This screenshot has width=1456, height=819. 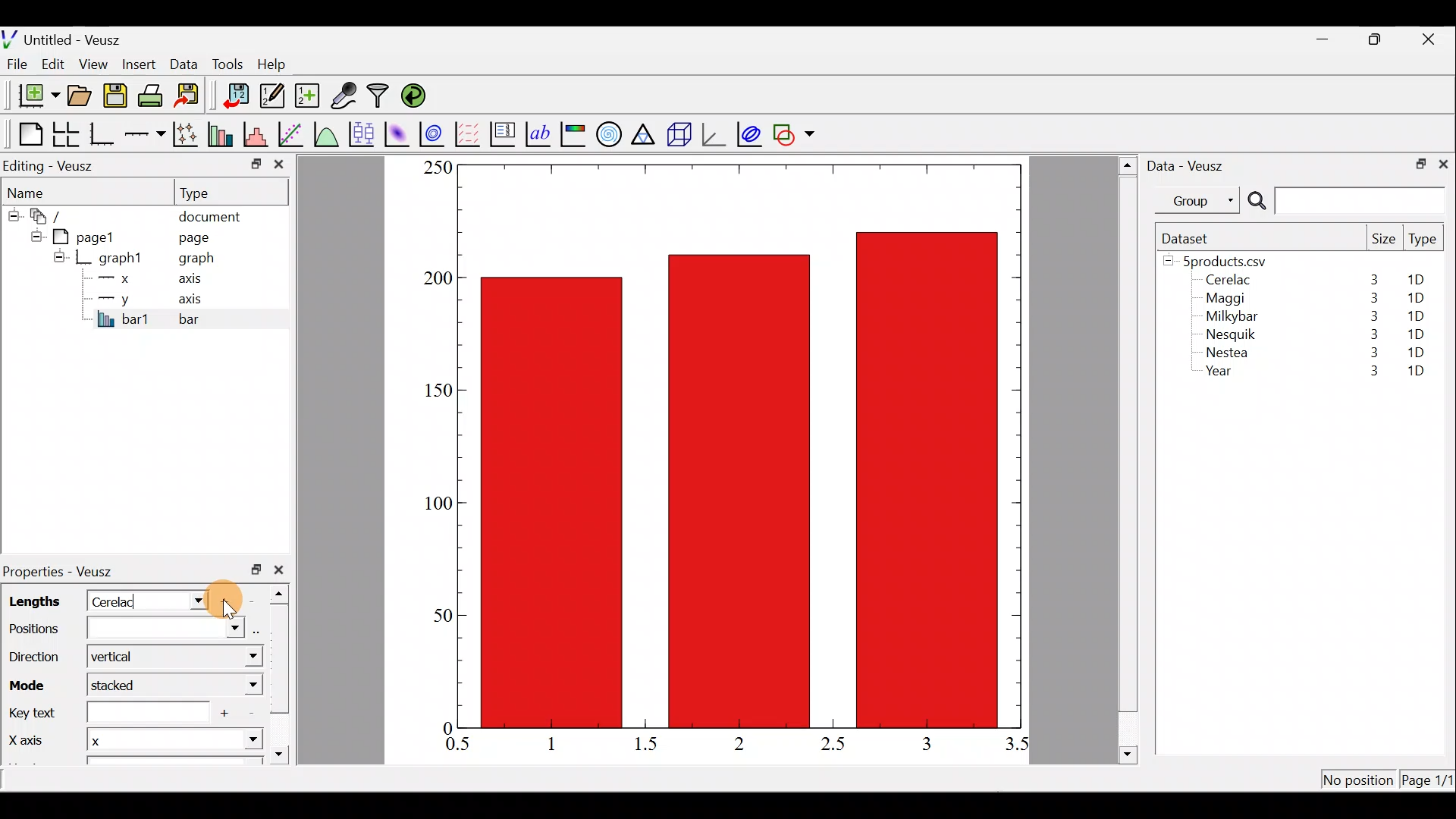 What do you see at coordinates (435, 133) in the screenshot?
I see `Plot a 2d dataset as contours` at bounding box center [435, 133].